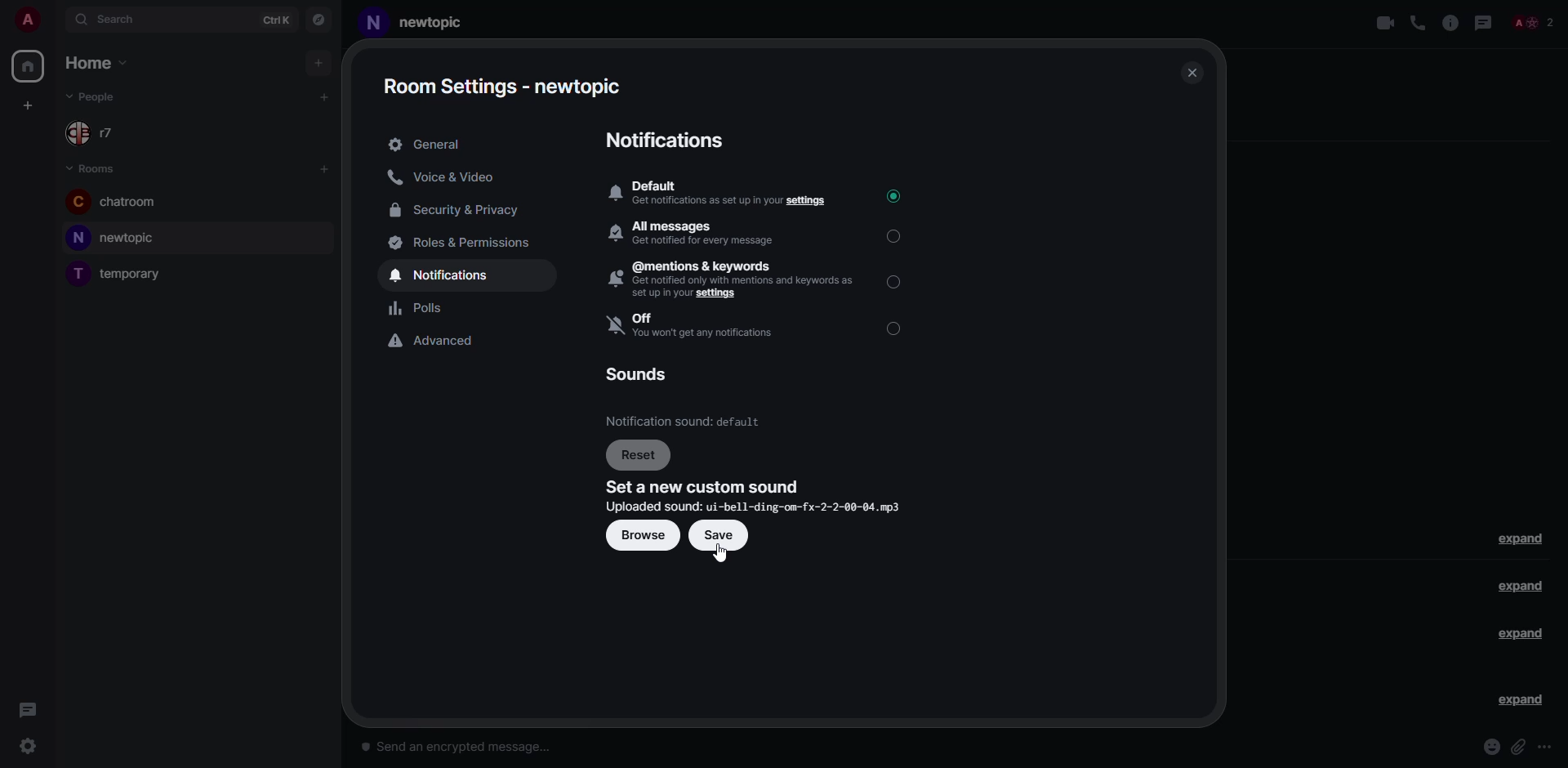 The width and height of the screenshot is (1568, 768). I want to click on search, so click(113, 20).